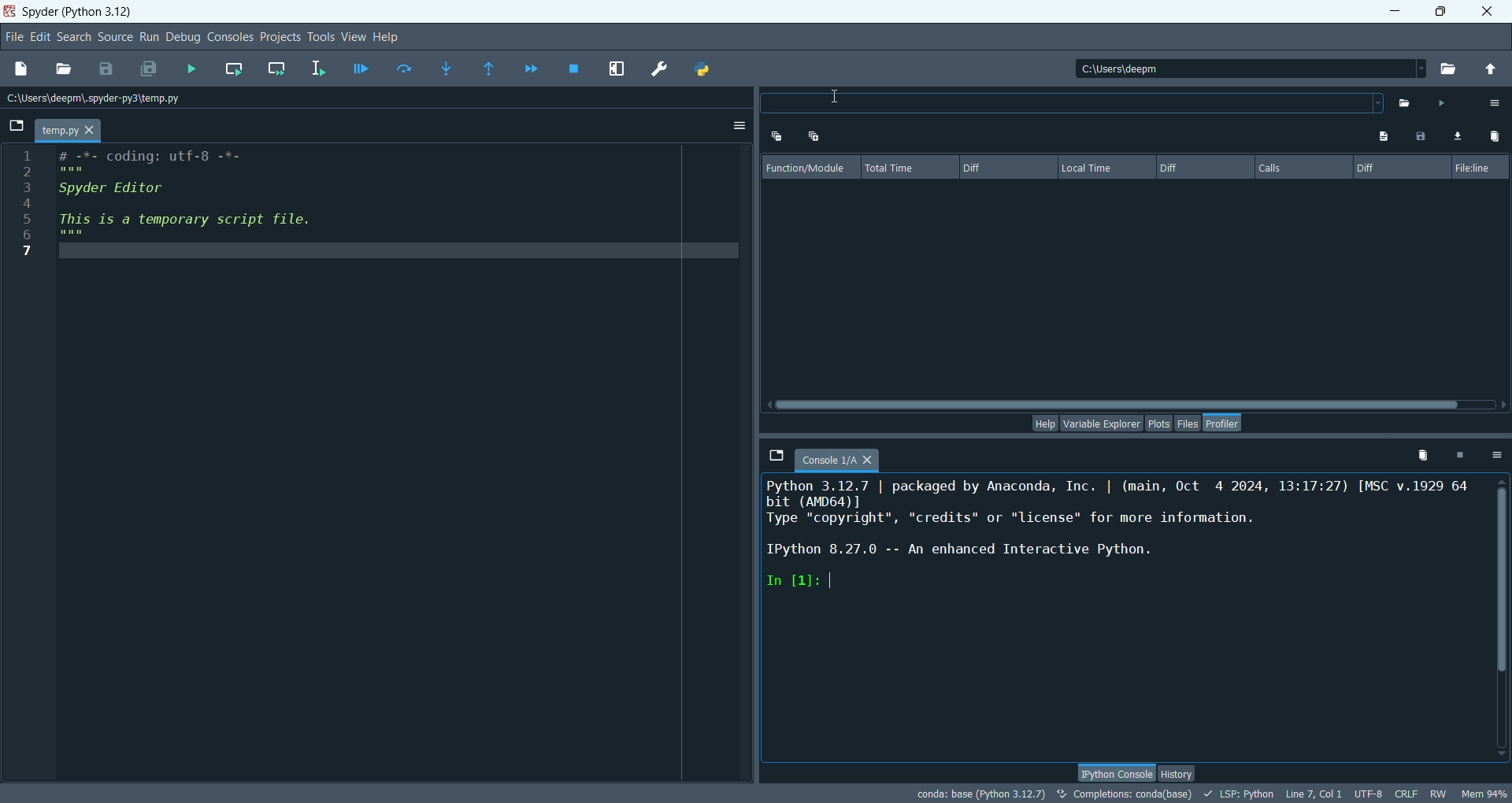 The width and height of the screenshot is (1512, 803). What do you see at coordinates (1490, 65) in the screenshot?
I see `change to parent directory` at bounding box center [1490, 65].